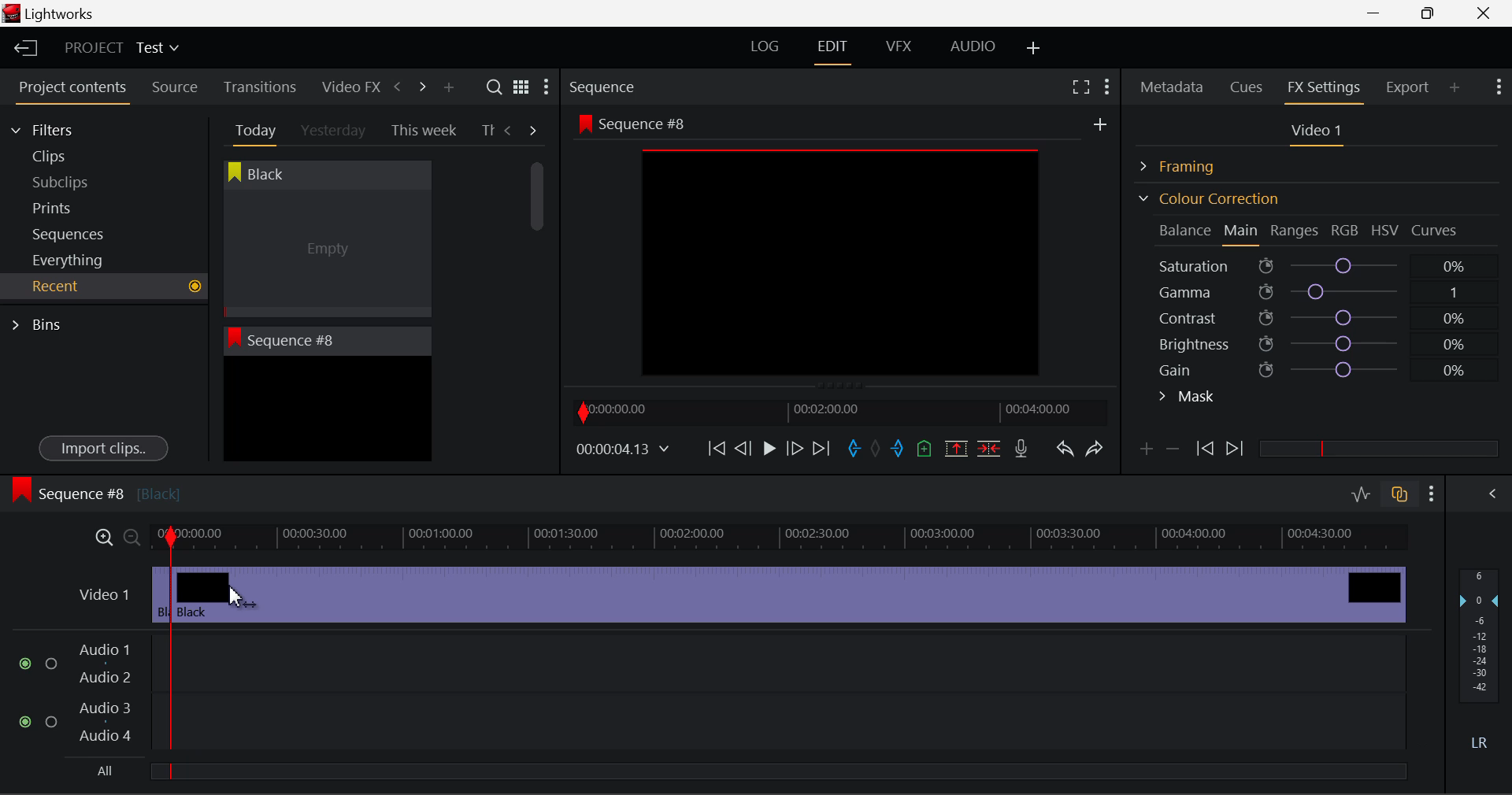 The height and width of the screenshot is (795, 1512). What do you see at coordinates (1143, 452) in the screenshot?
I see `Add keyframe` at bounding box center [1143, 452].